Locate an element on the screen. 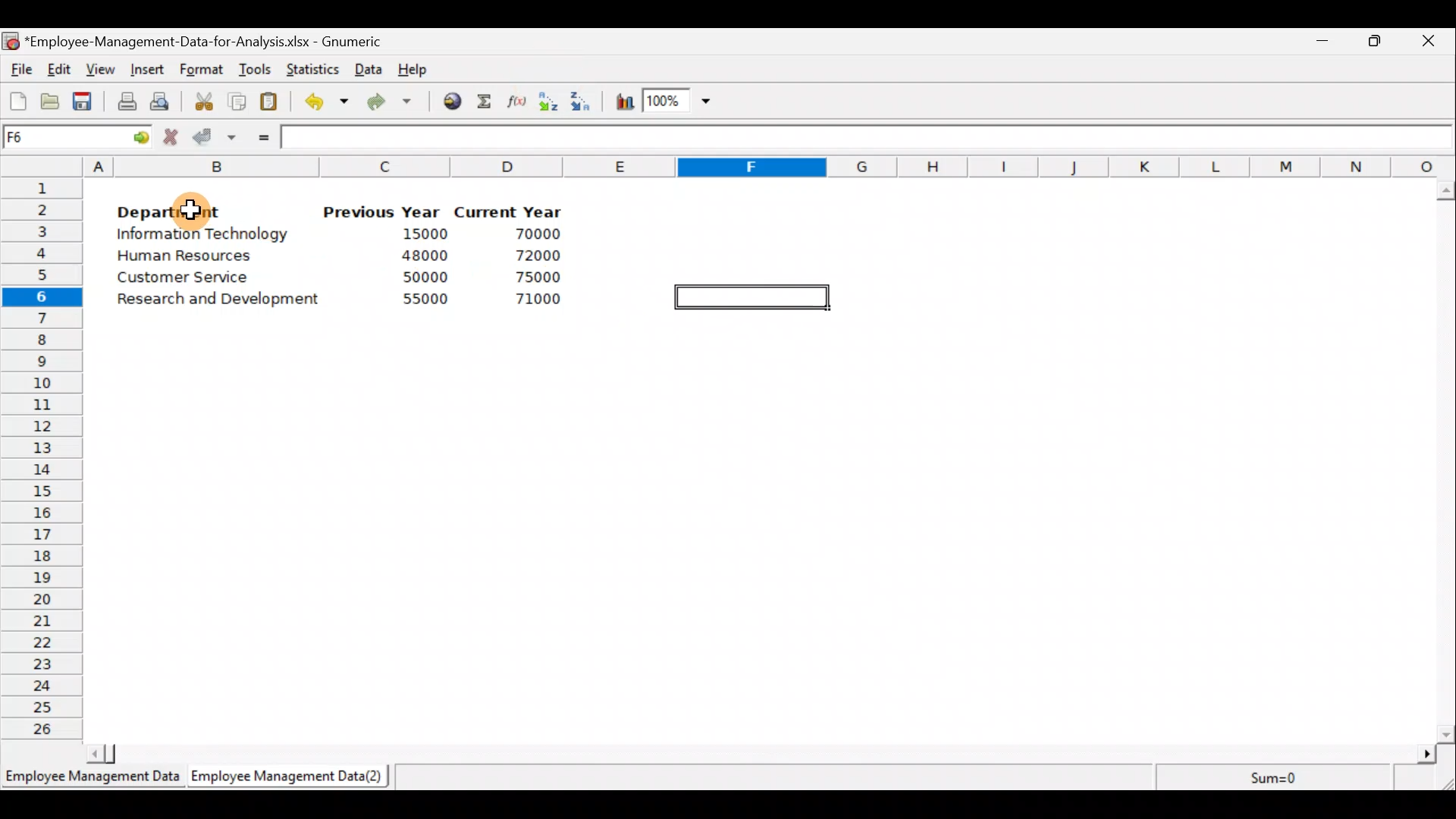 Image resolution: width=1456 pixels, height=819 pixels. Copy the selection is located at coordinates (236, 99).